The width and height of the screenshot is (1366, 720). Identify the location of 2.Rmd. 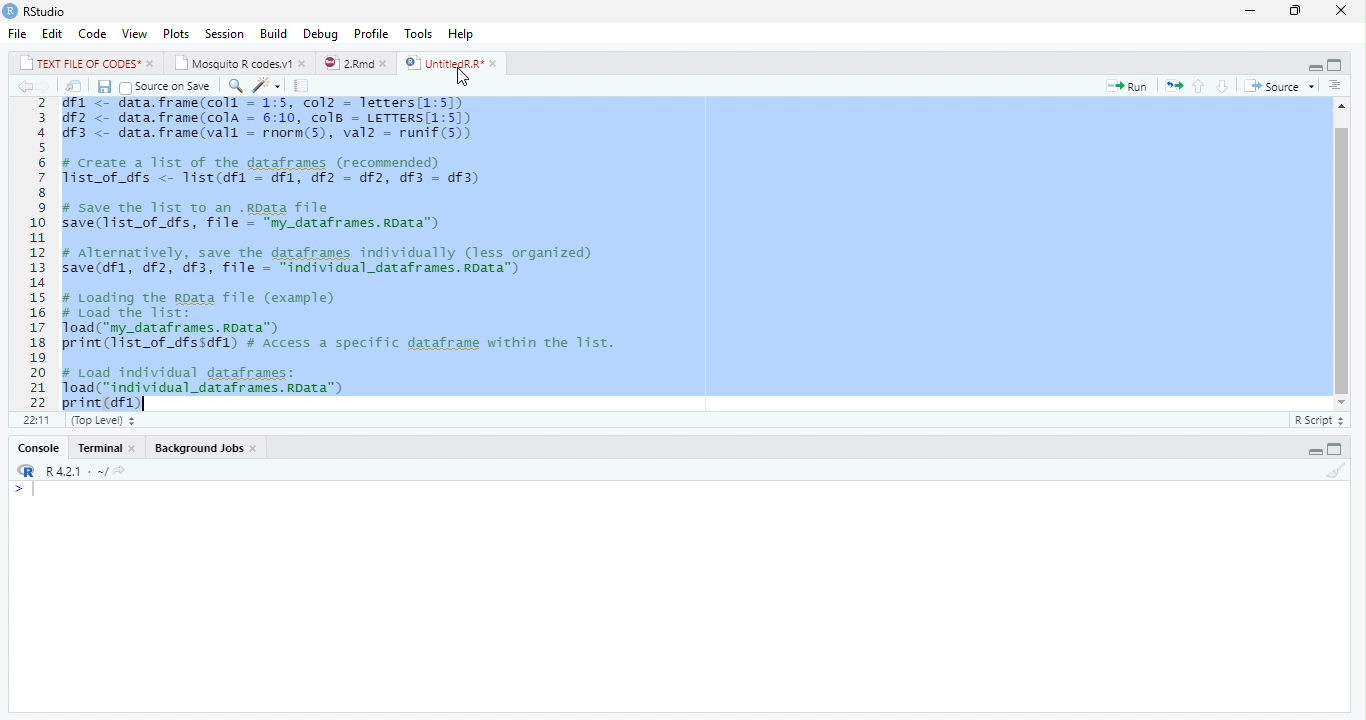
(355, 63).